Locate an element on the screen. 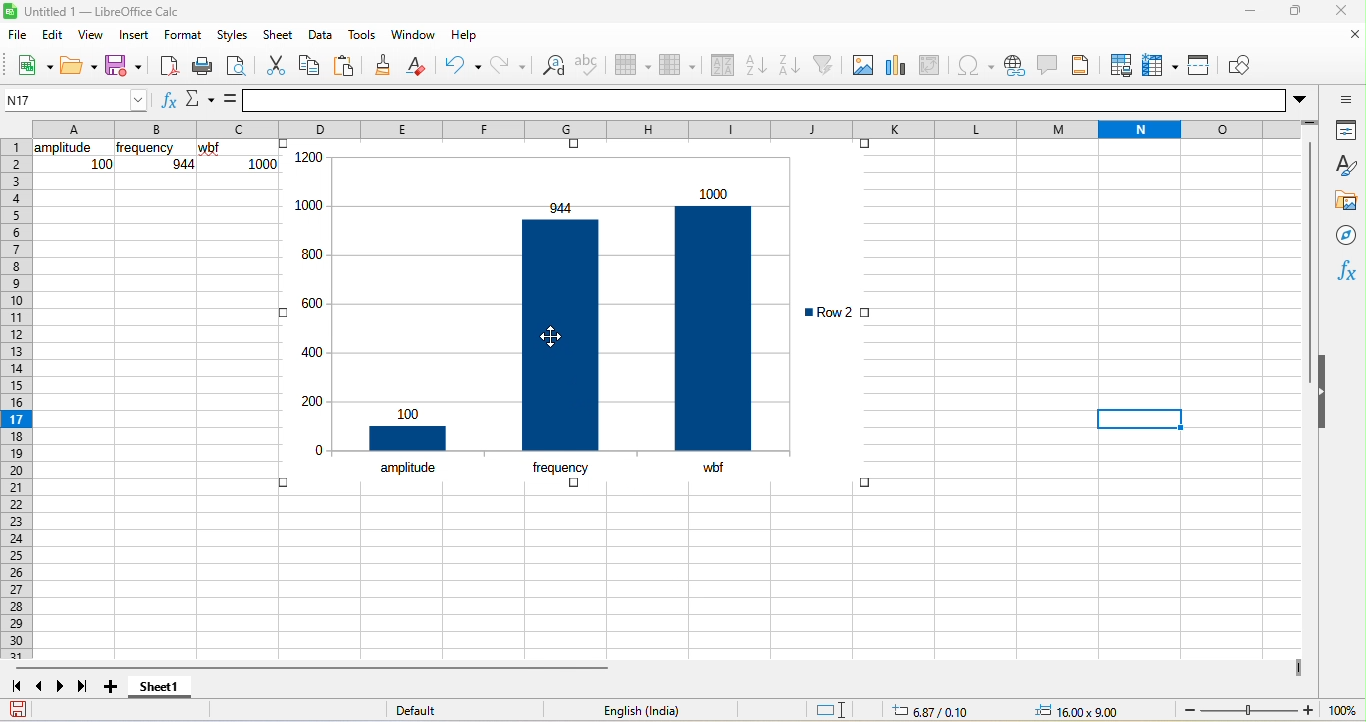 Image resolution: width=1366 pixels, height=722 pixels. function is located at coordinates (1343, 269).